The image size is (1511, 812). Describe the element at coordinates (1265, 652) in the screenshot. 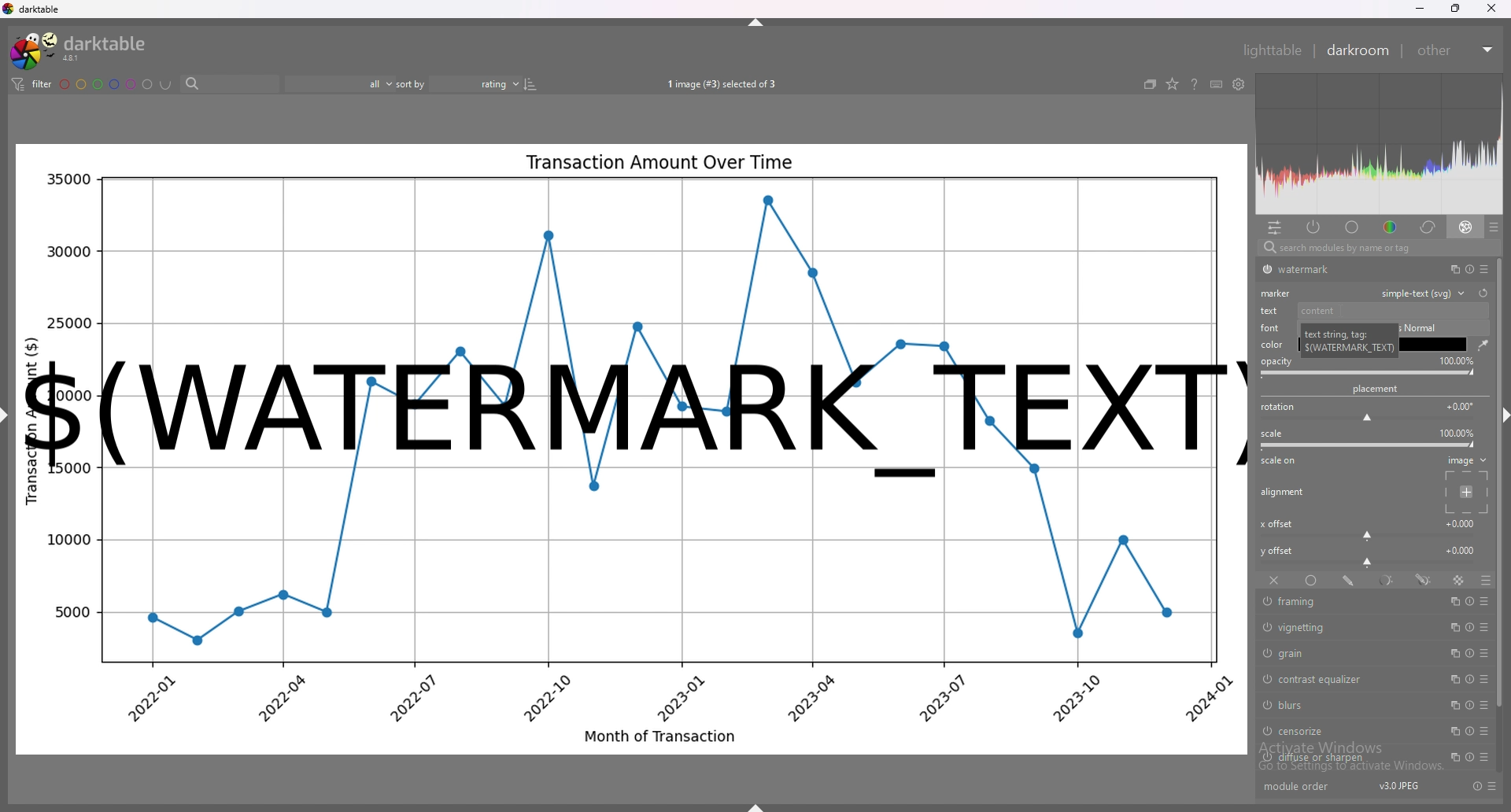

I see `switch off` at that location.